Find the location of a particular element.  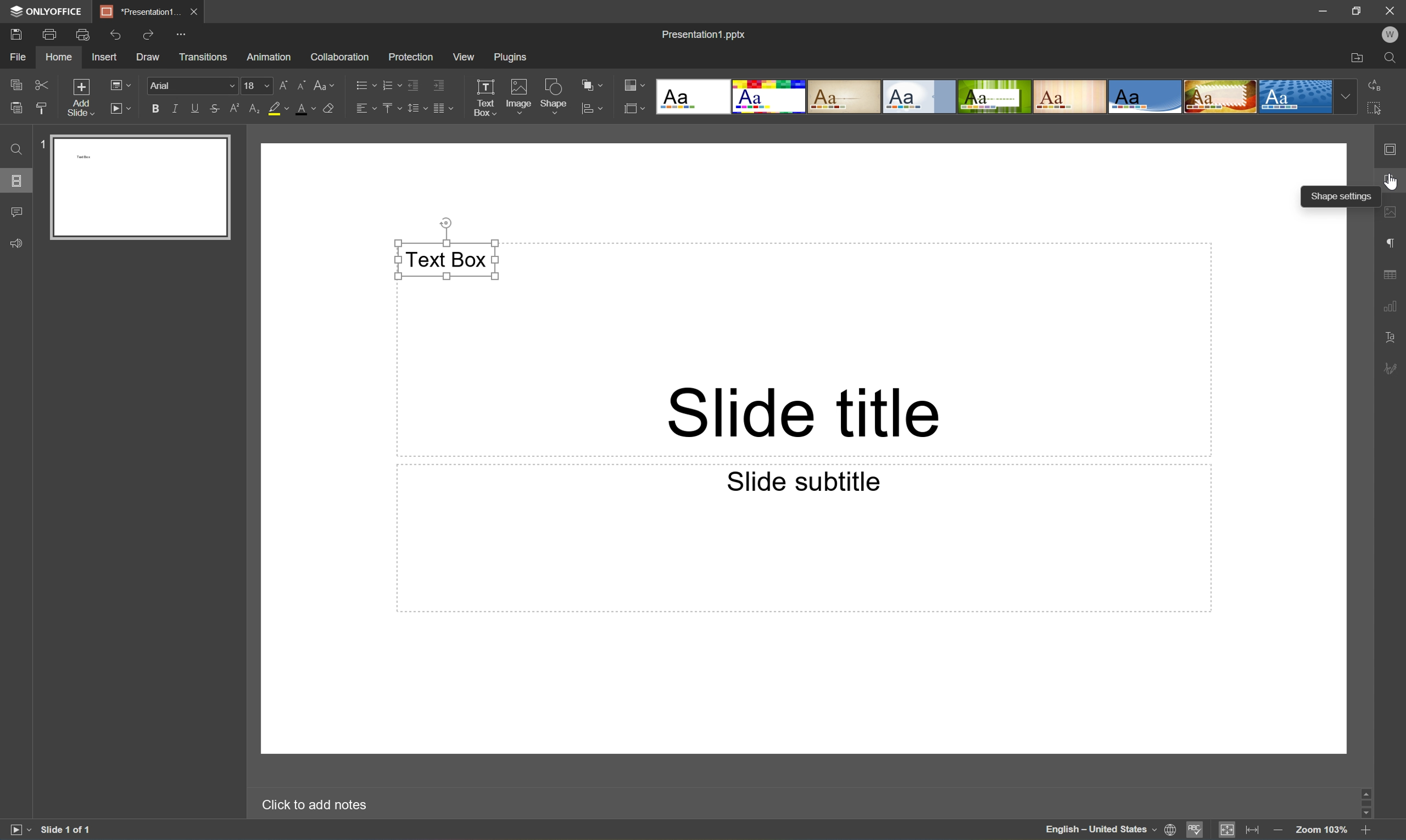

Close is located at coordinates (194, 11).